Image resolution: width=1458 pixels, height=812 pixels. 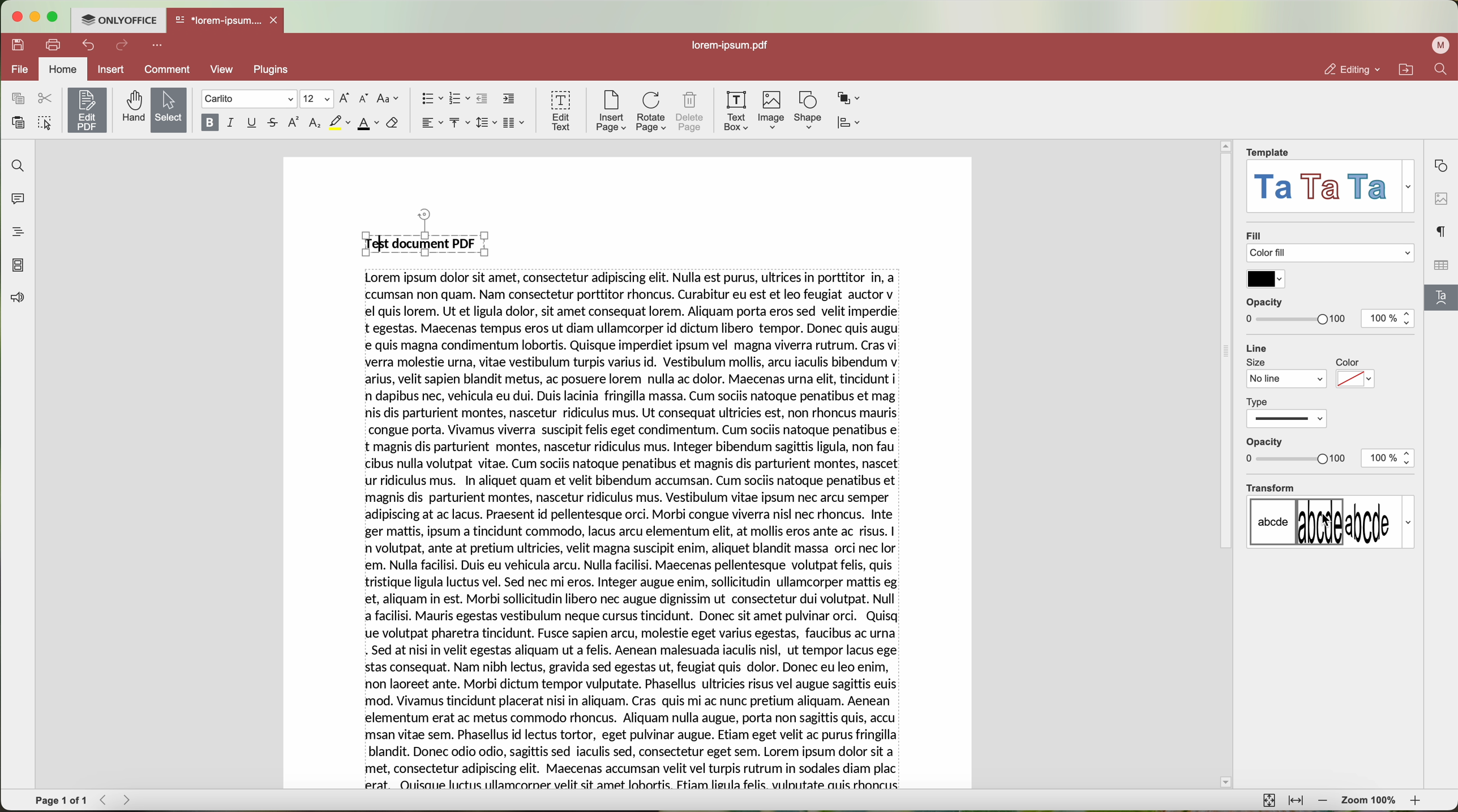 I want to click on shape, so click(x=807, y=111).